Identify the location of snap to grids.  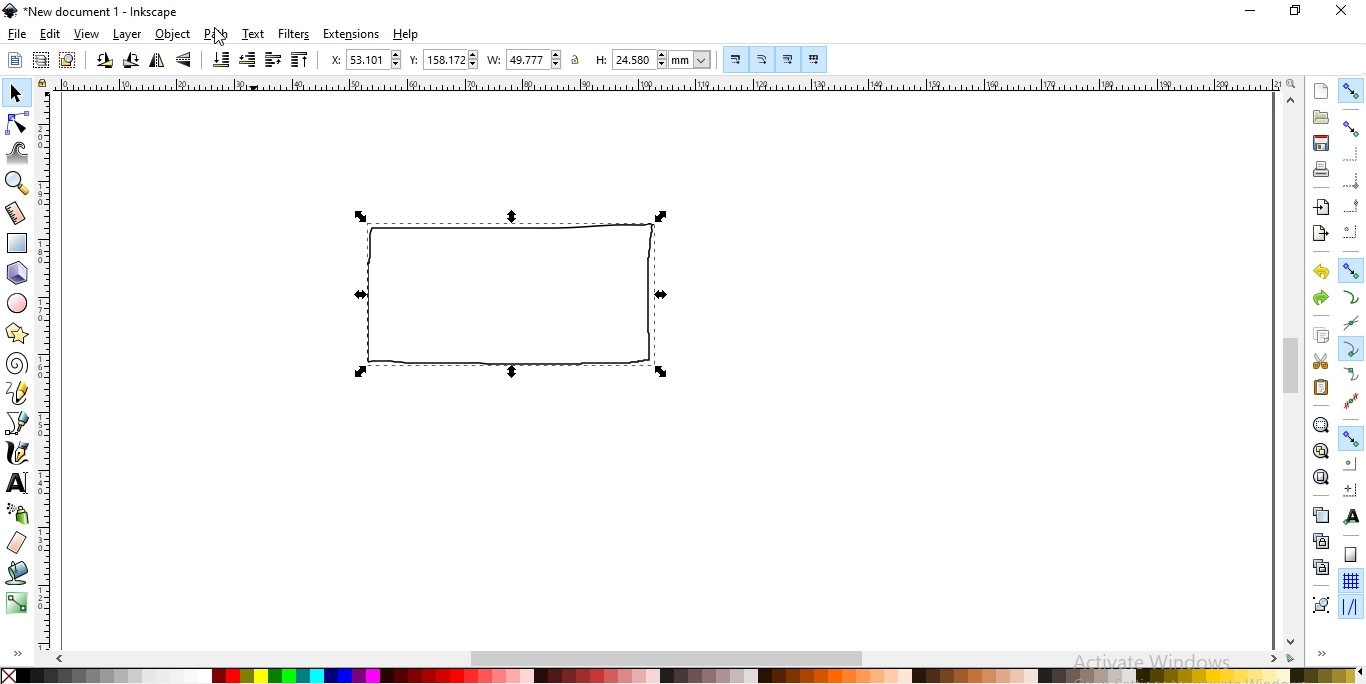
(1351, 580).